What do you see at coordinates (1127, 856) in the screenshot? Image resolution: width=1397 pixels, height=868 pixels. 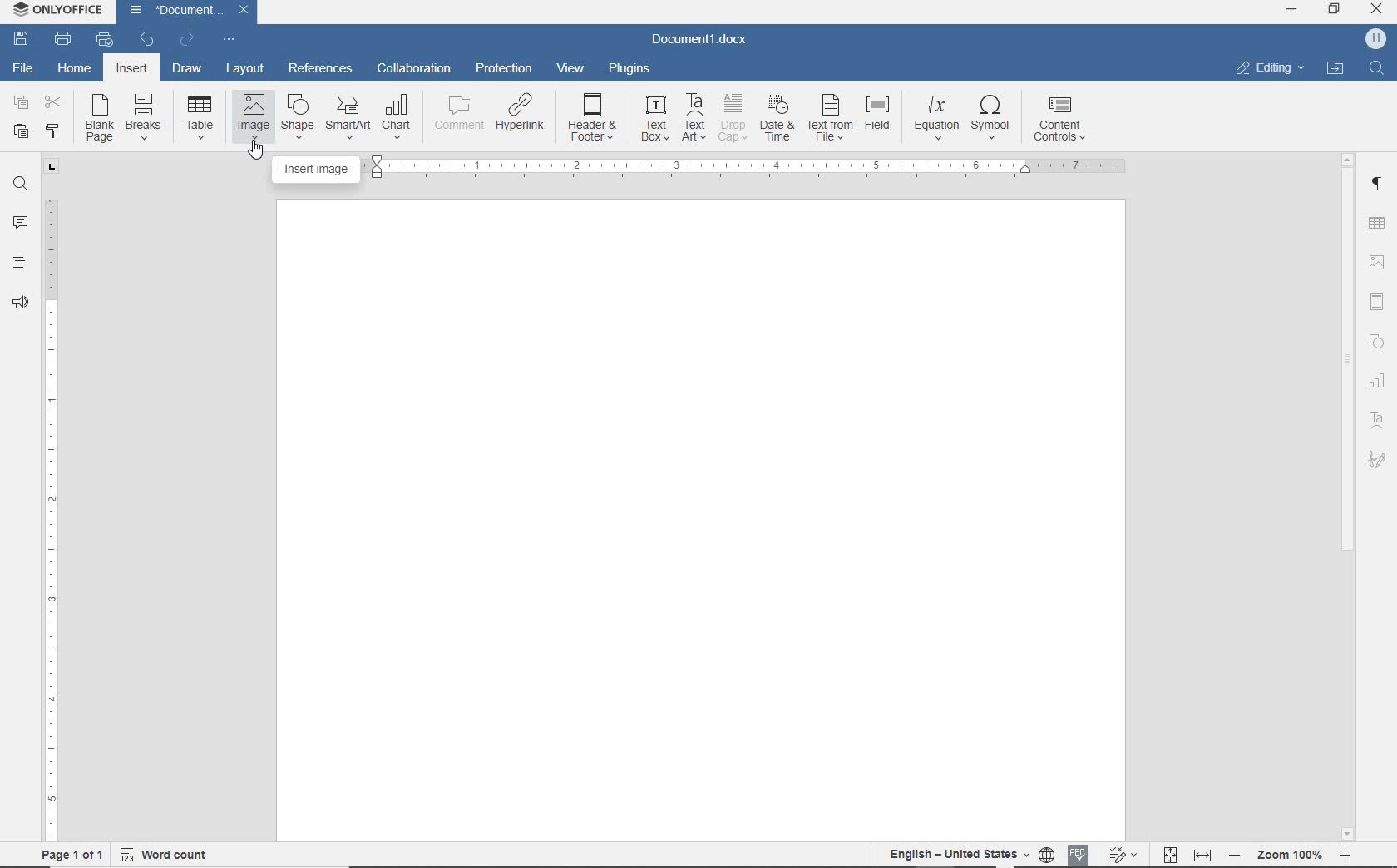 I see `track changes` at bounding box center [1127, 856].